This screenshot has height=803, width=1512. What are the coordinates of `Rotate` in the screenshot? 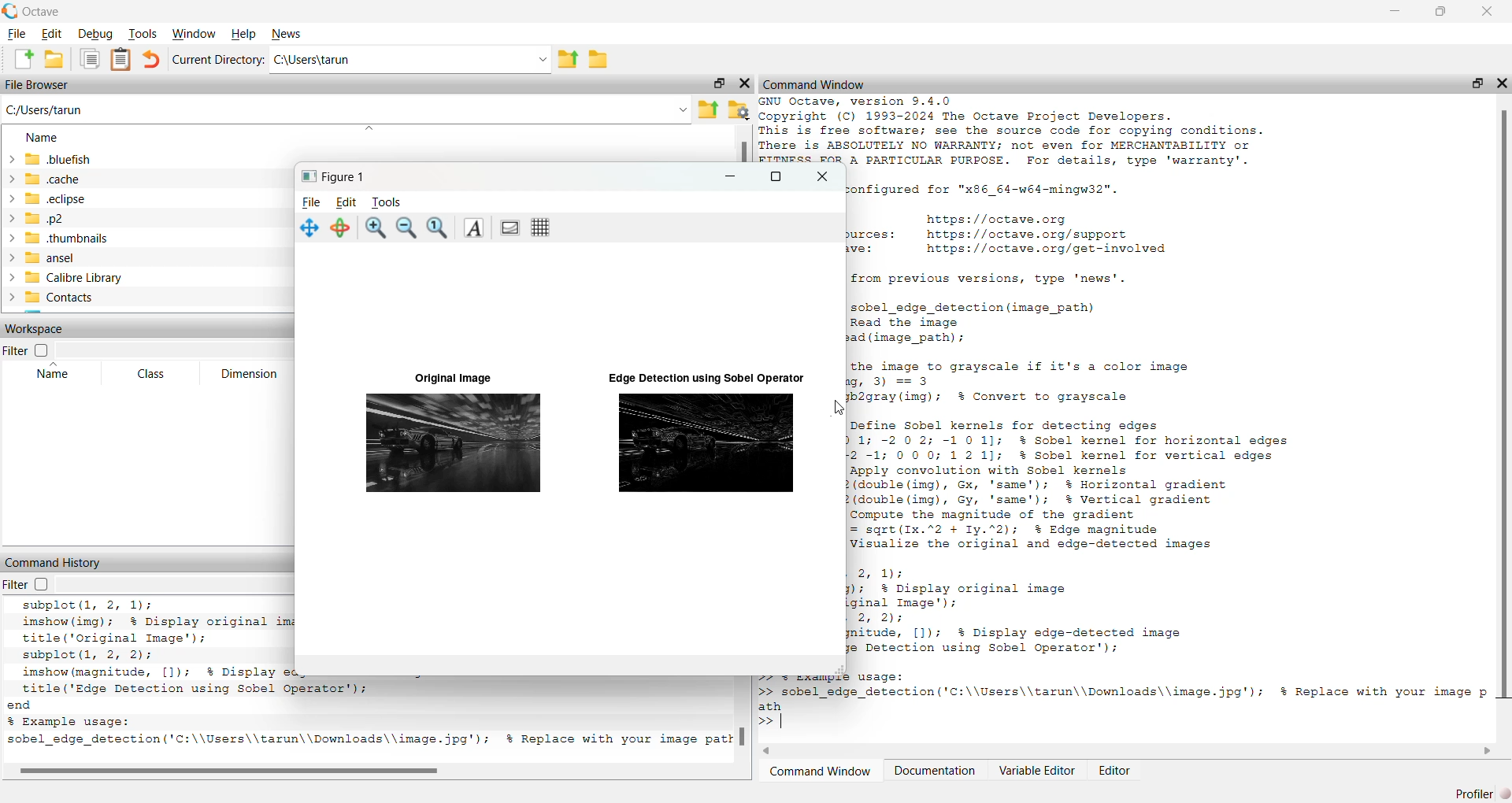 It's located at (343, 228).